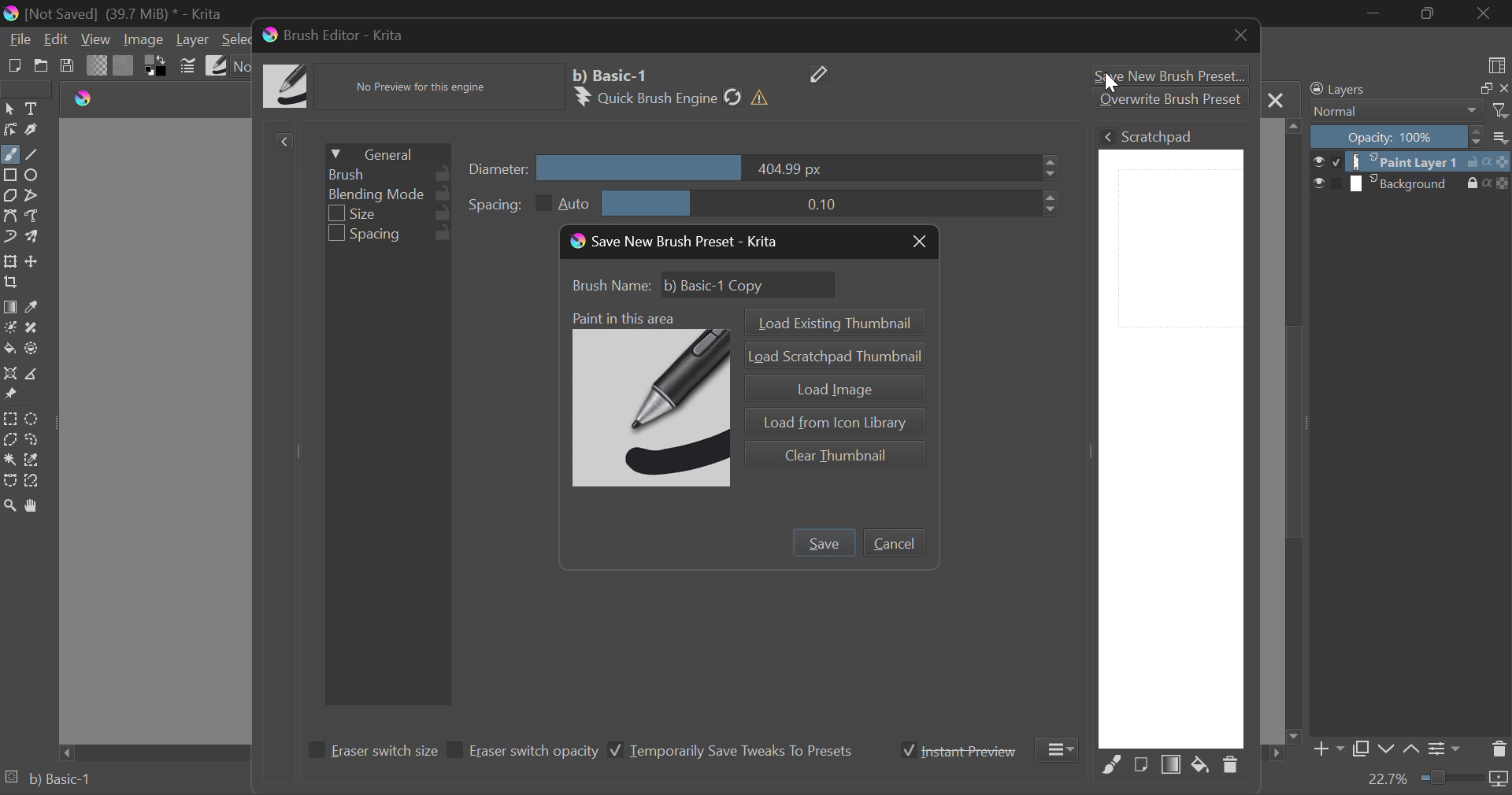 The image size is (1512, 795). I want to click on Fill area with current Image, so click(1140, 765).